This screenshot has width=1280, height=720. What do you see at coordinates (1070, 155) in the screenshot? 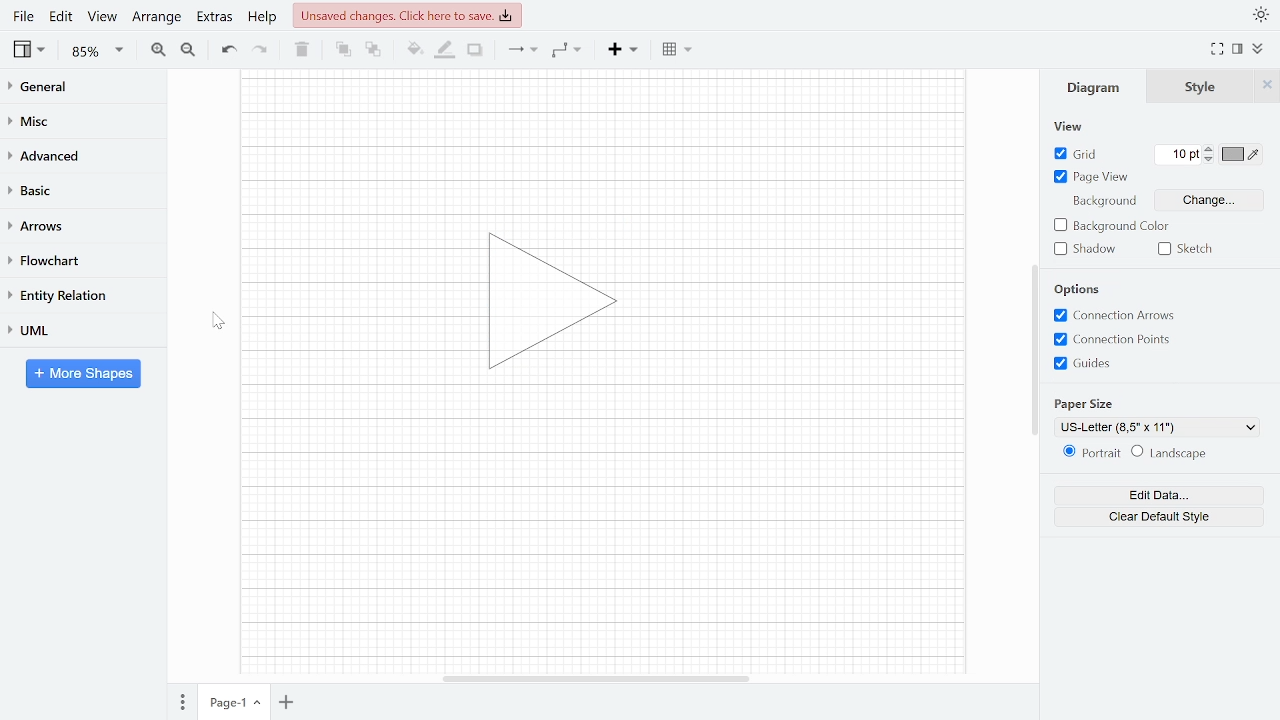
I see `Grid` at bounding box center [1070, 155].